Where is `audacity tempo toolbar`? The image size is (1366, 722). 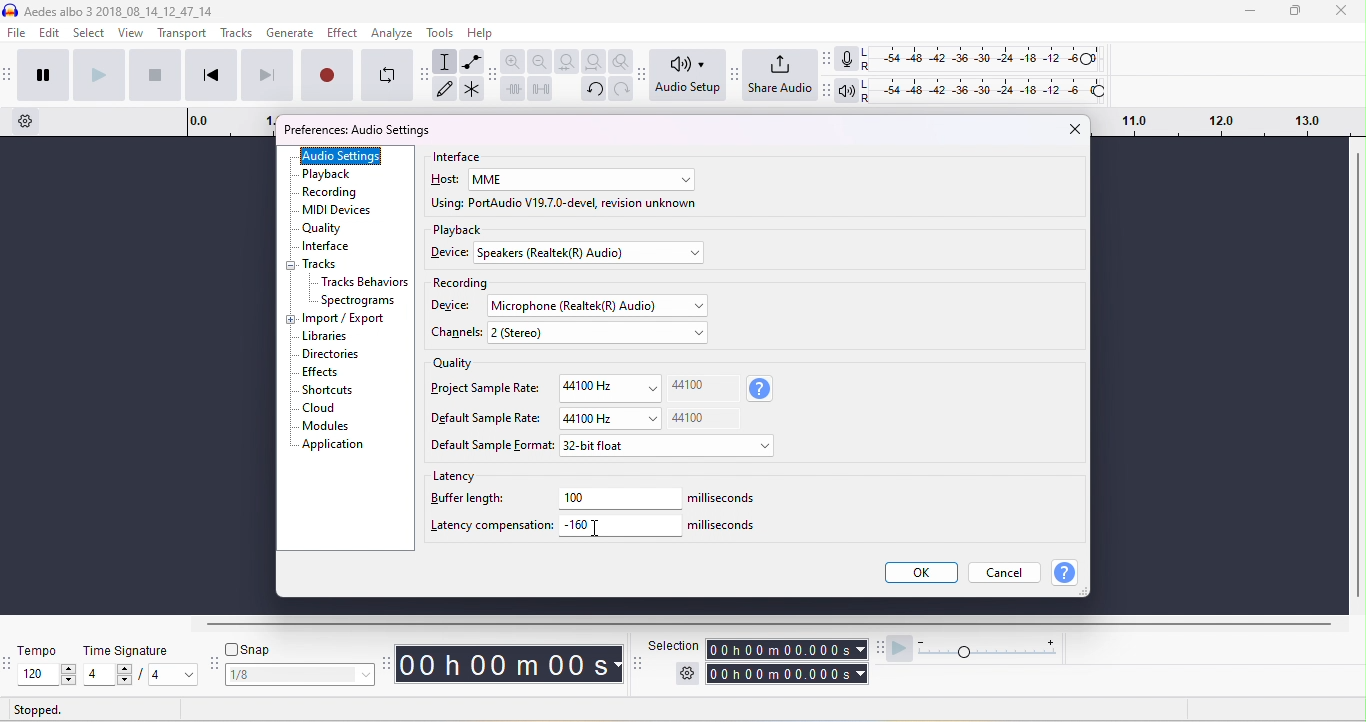 audacity tempo toolbar is located at coordinates (9, 665).